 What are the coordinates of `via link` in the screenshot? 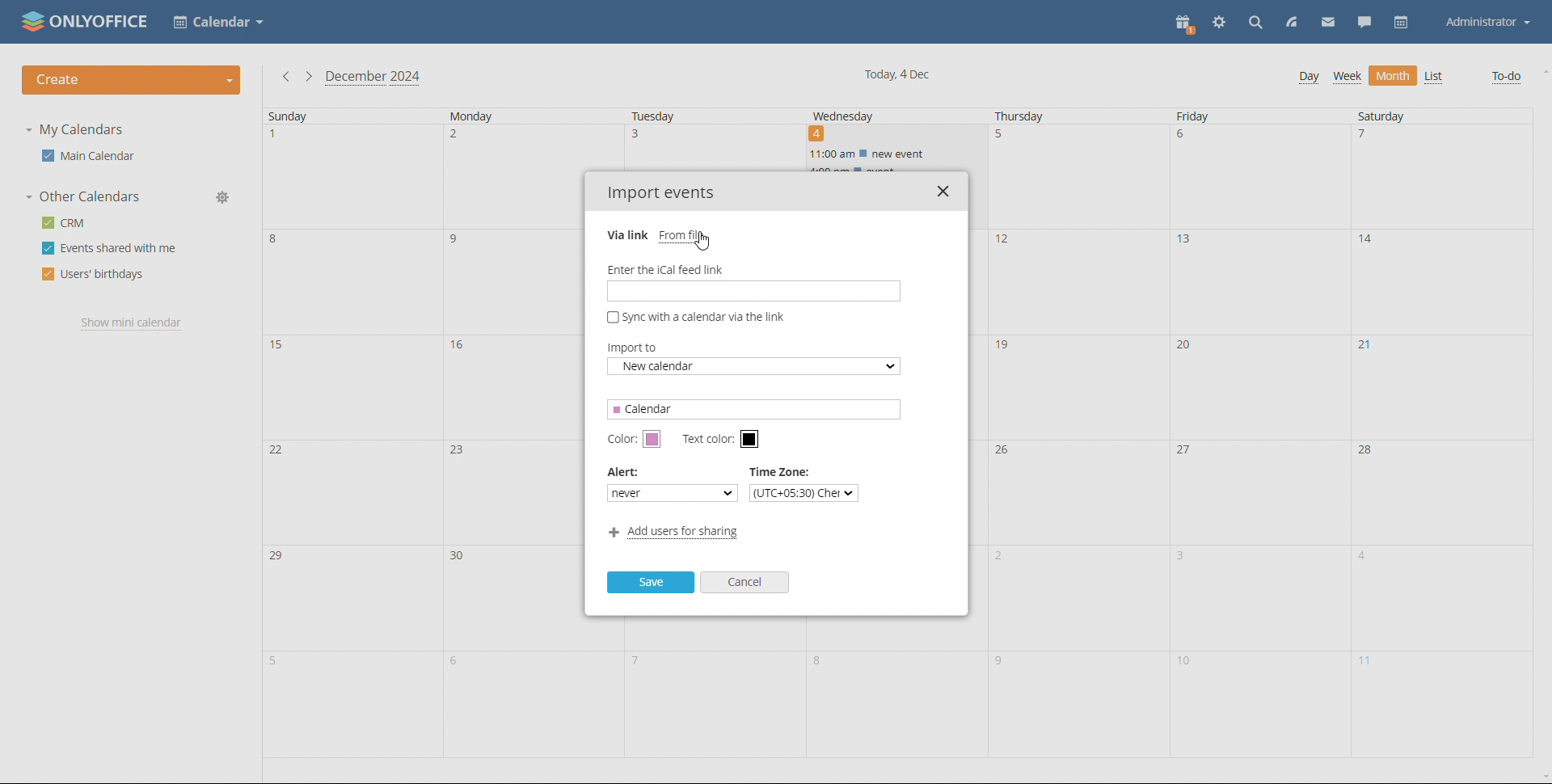 It's located at (627, 235).